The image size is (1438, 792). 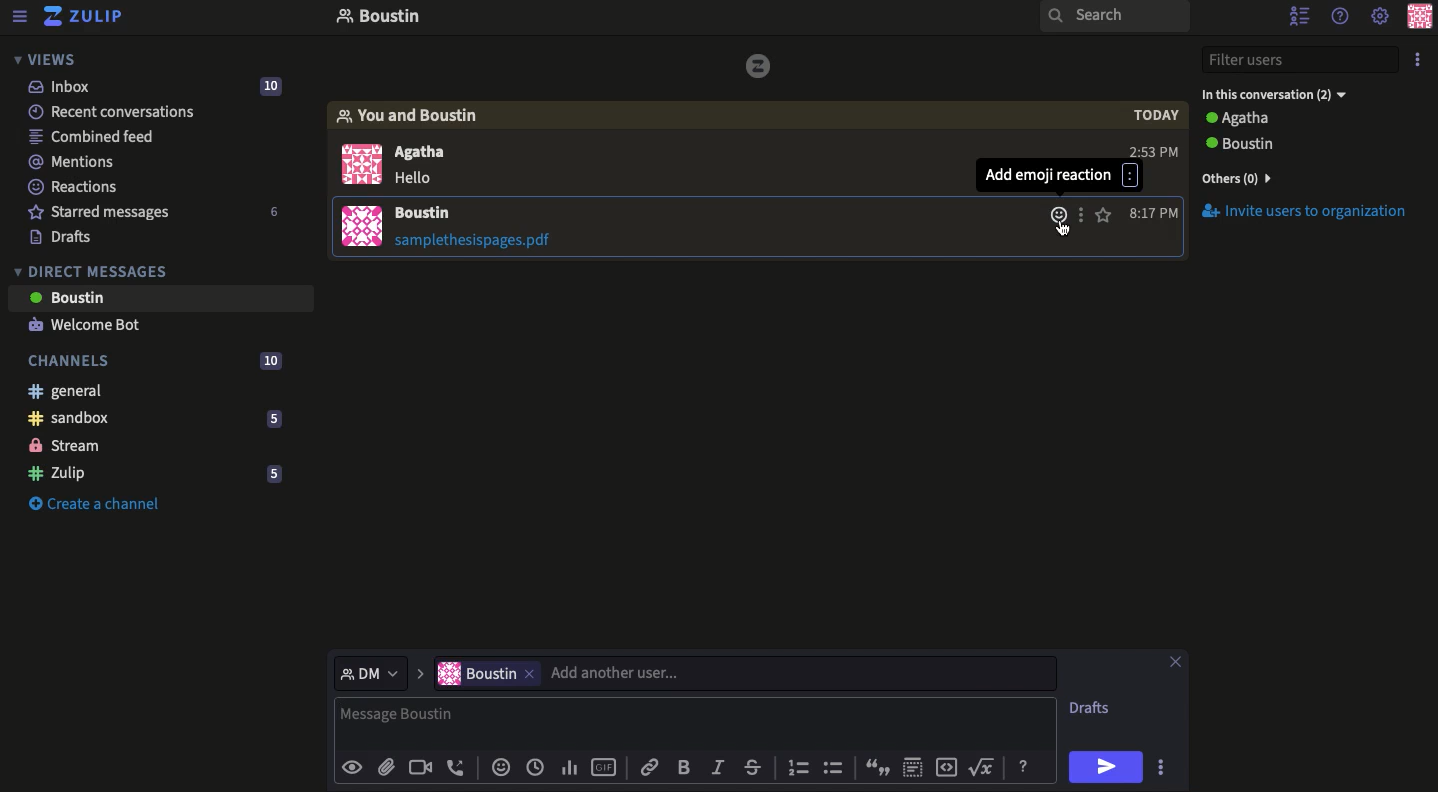 I want to click on Global time, so click(x=535, y=766).